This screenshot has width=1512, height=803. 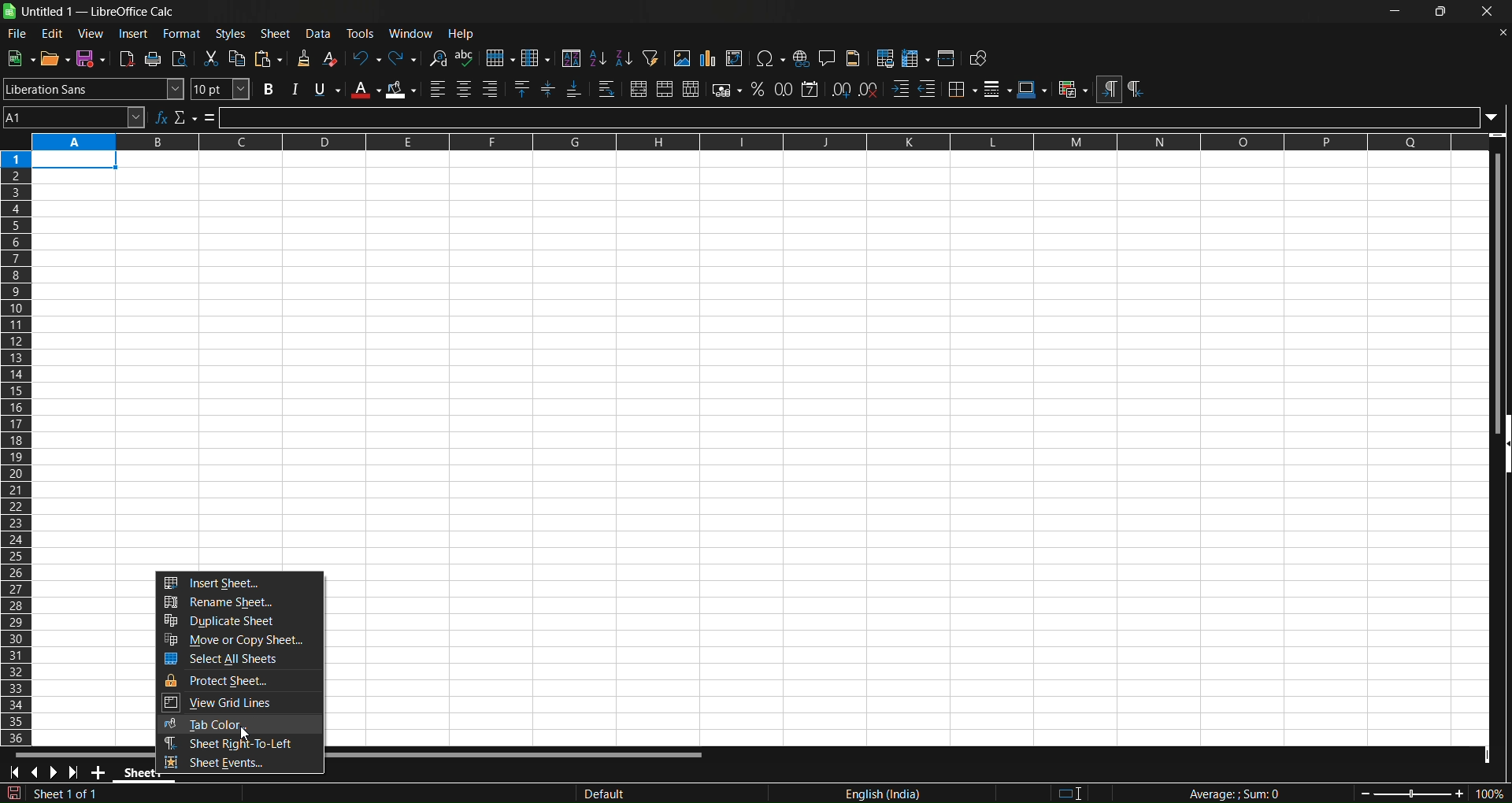 What do you see at coordinates (239, 640) in the screenshot?
I see `move or copy sheet` at bounding box center [239, 640].